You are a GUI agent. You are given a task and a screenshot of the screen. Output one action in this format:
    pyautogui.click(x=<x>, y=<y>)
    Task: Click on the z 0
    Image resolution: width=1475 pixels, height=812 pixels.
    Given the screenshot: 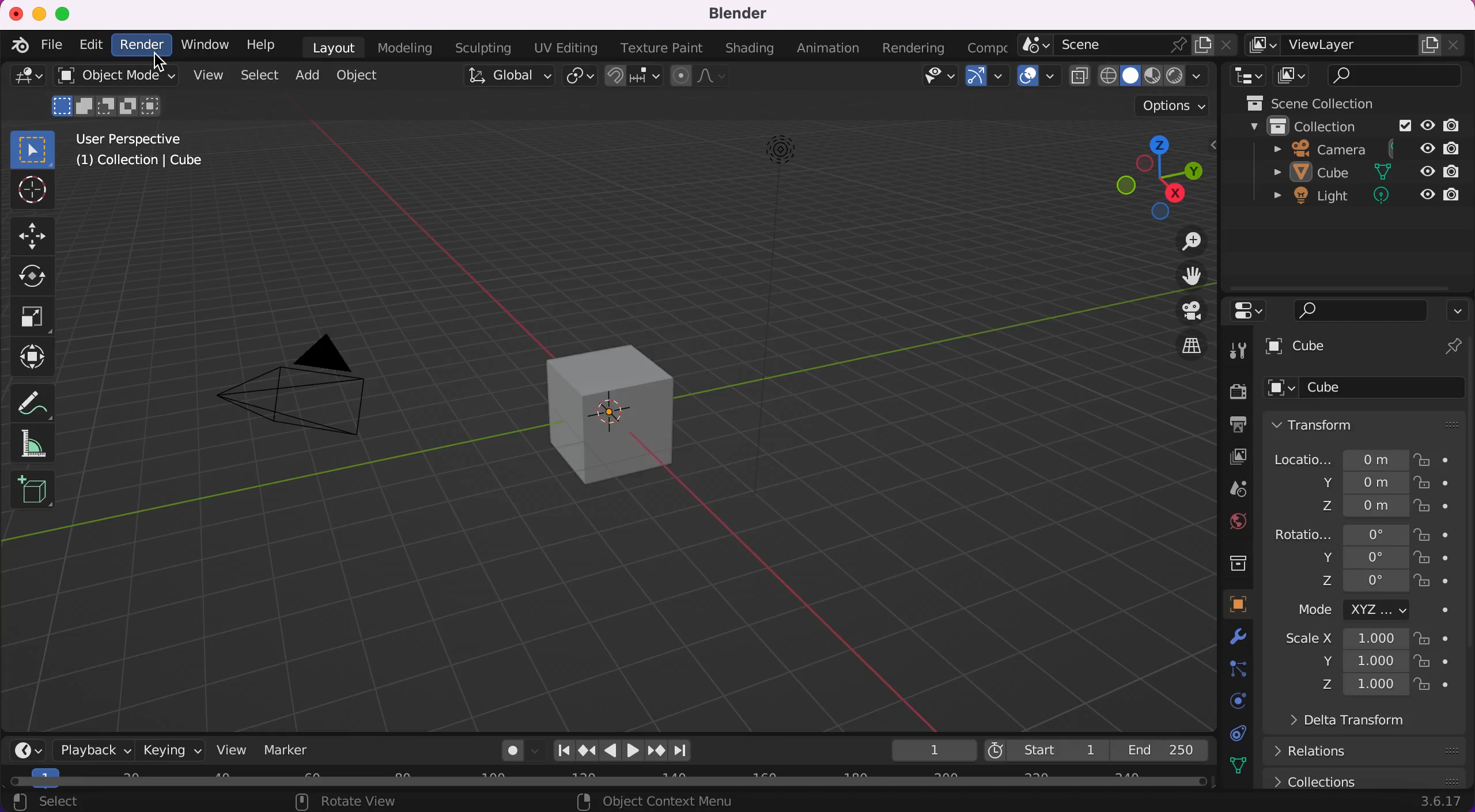 What is the action you would take?
    pyautogui.click(x=1364, y=581)
    